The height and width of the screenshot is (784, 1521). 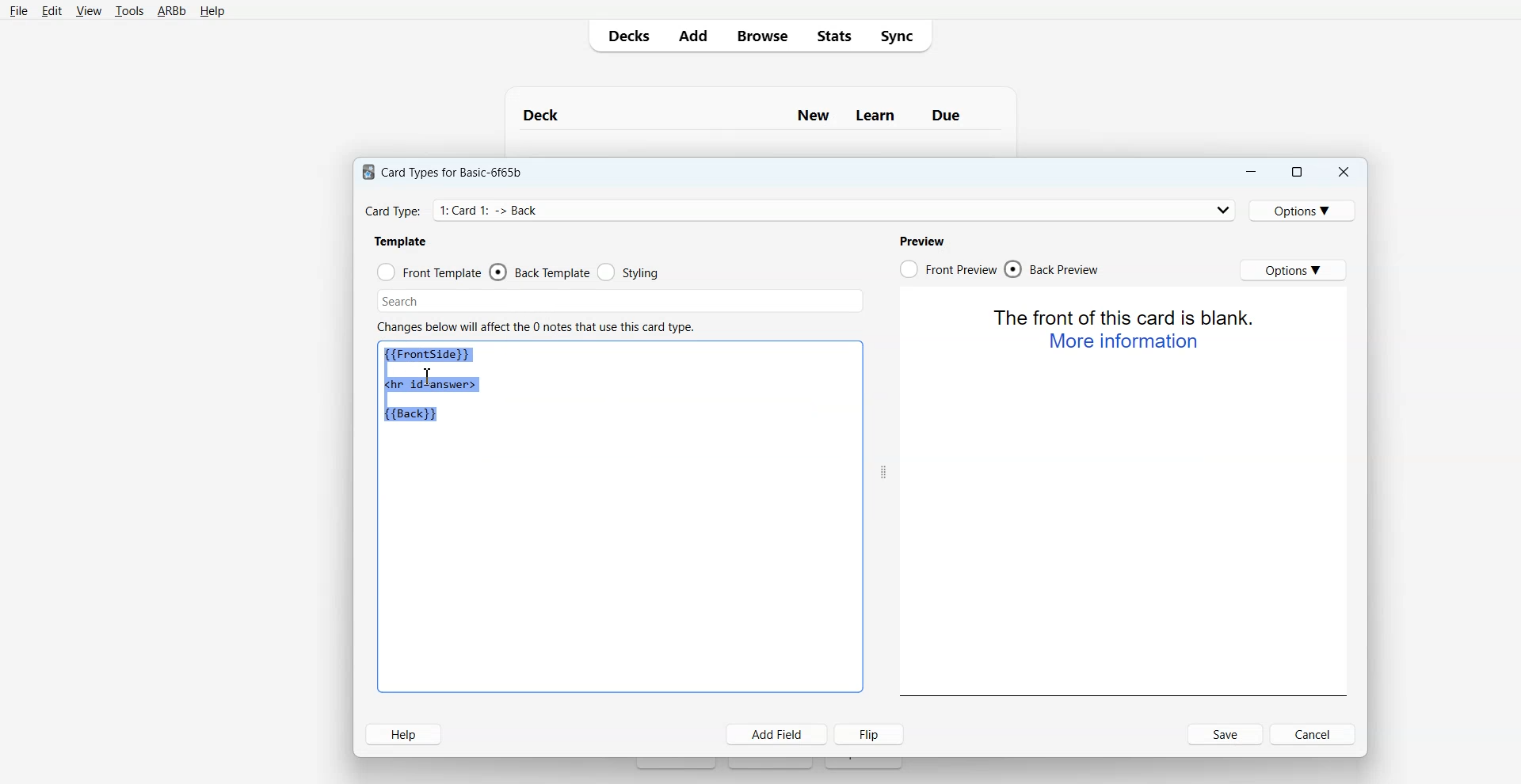 What do you see at coordinates (539, 272) in the screenshot?
I see `Back Template` at bounding box center [539, 272].